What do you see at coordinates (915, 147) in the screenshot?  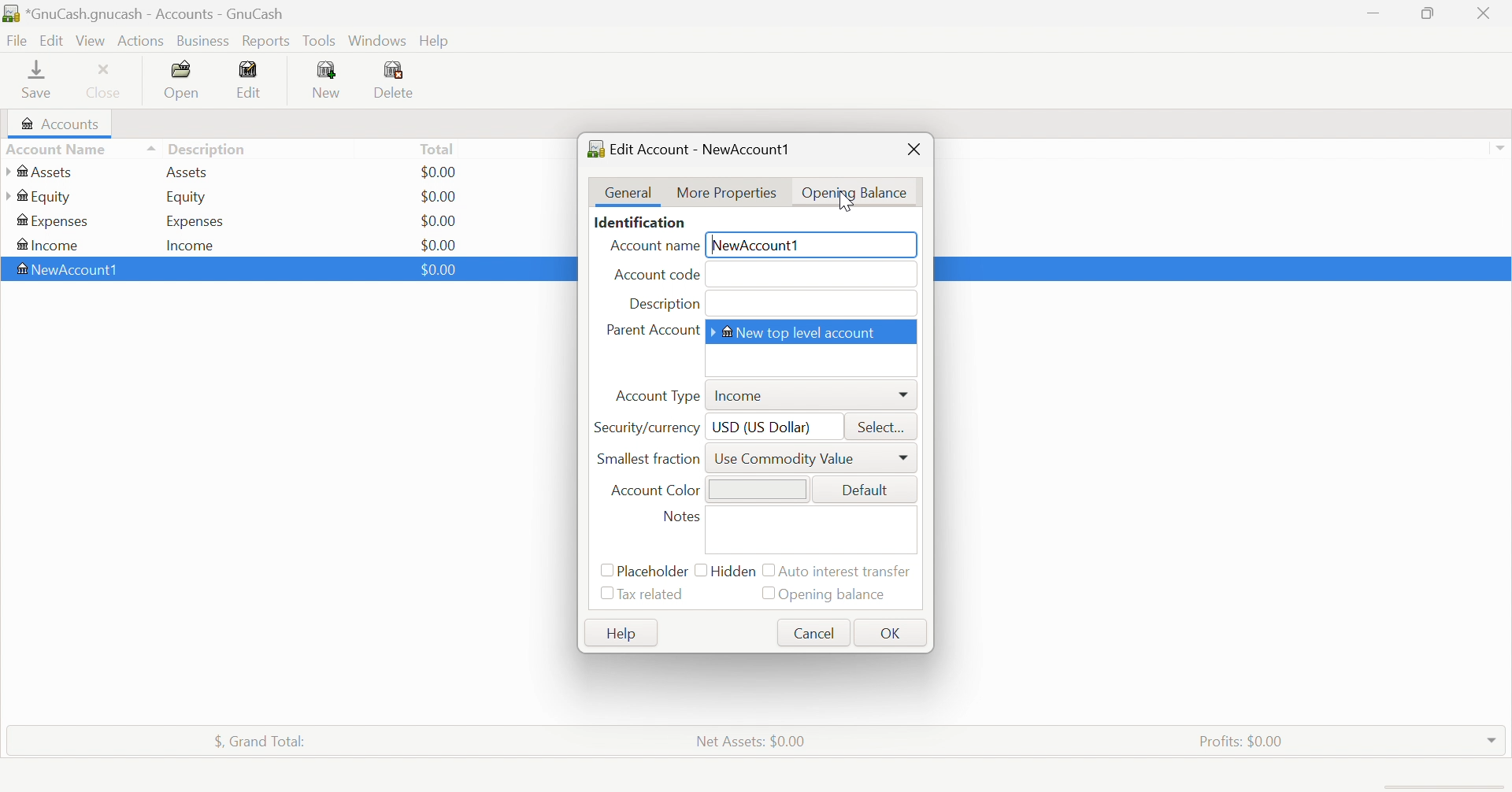 I see `Close` at bounding box center [915, 147].